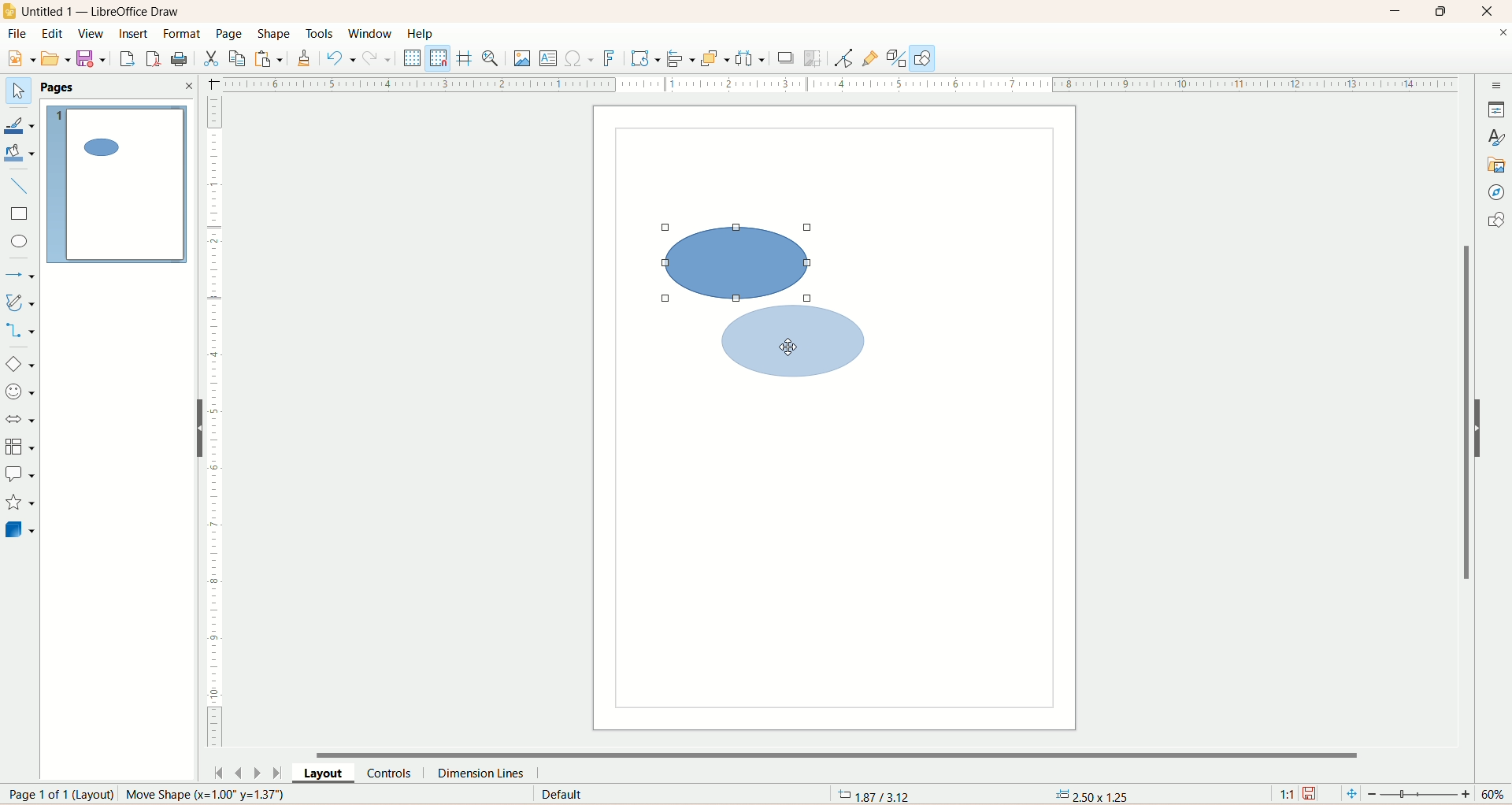  I want to click on star and banners, so click(19, 502).